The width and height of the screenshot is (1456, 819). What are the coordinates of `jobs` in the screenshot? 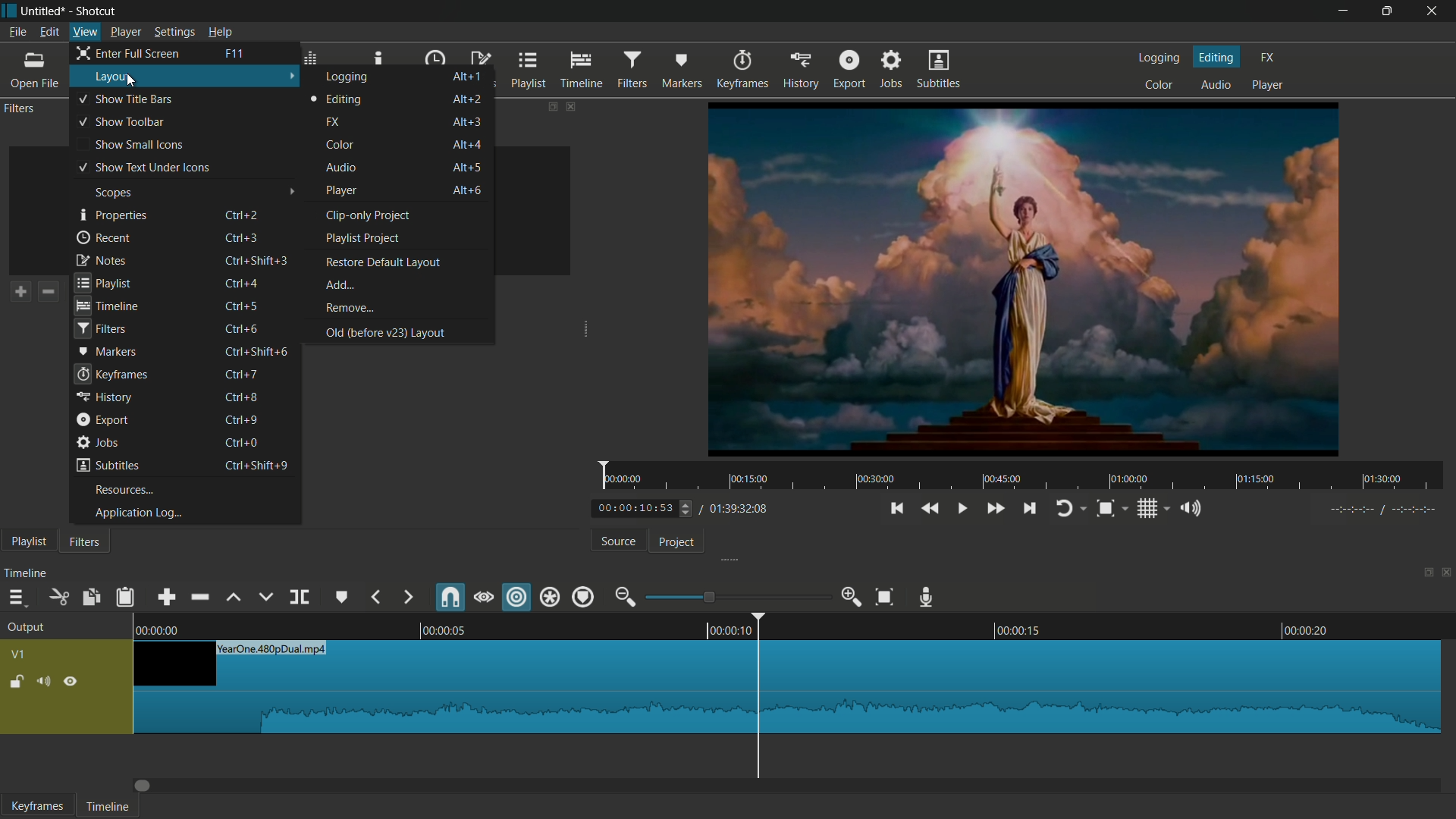 It's located at (98, 442).